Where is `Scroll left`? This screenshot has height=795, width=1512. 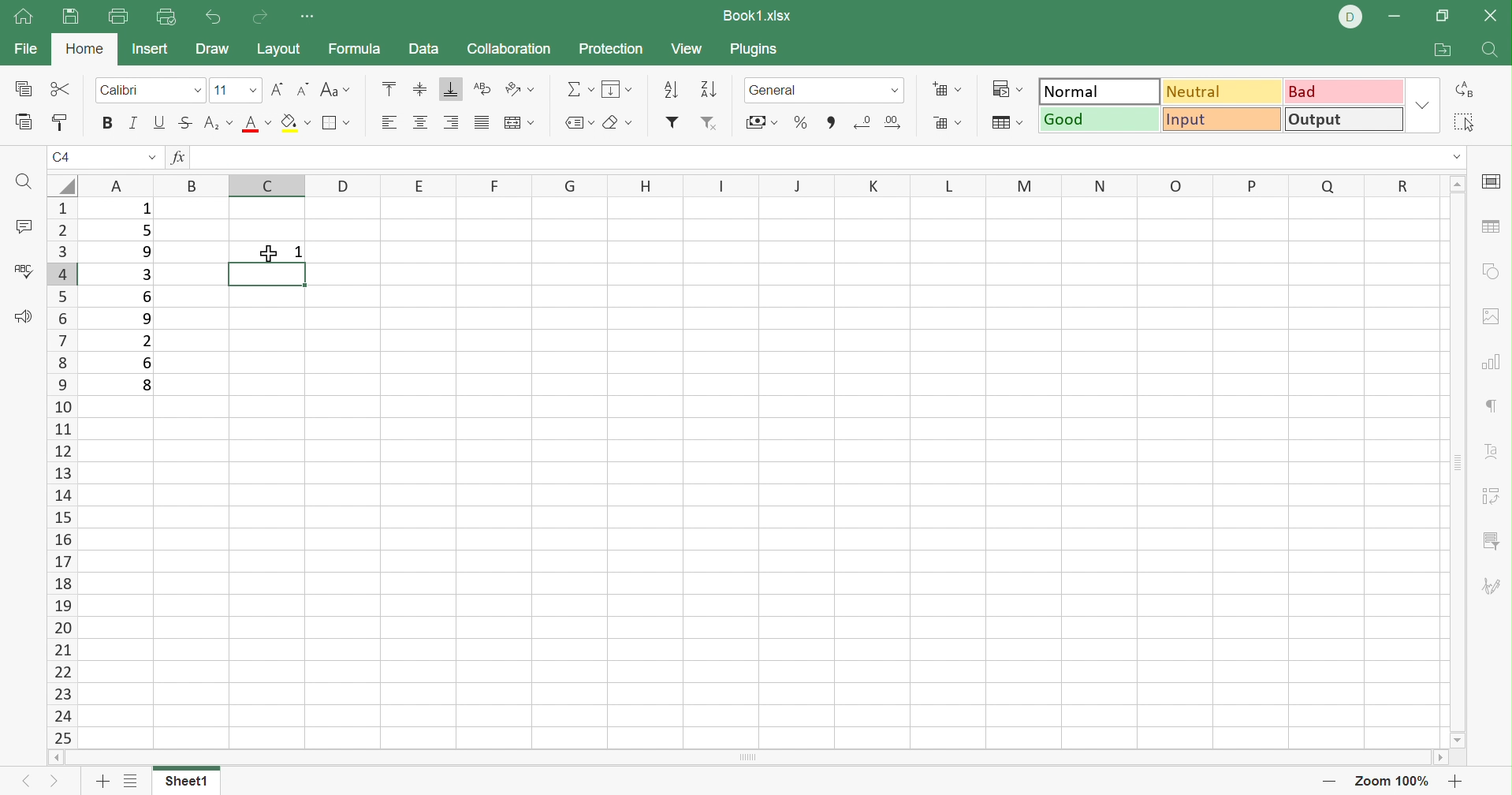 Scroll left is located at coordinates (49, 756).